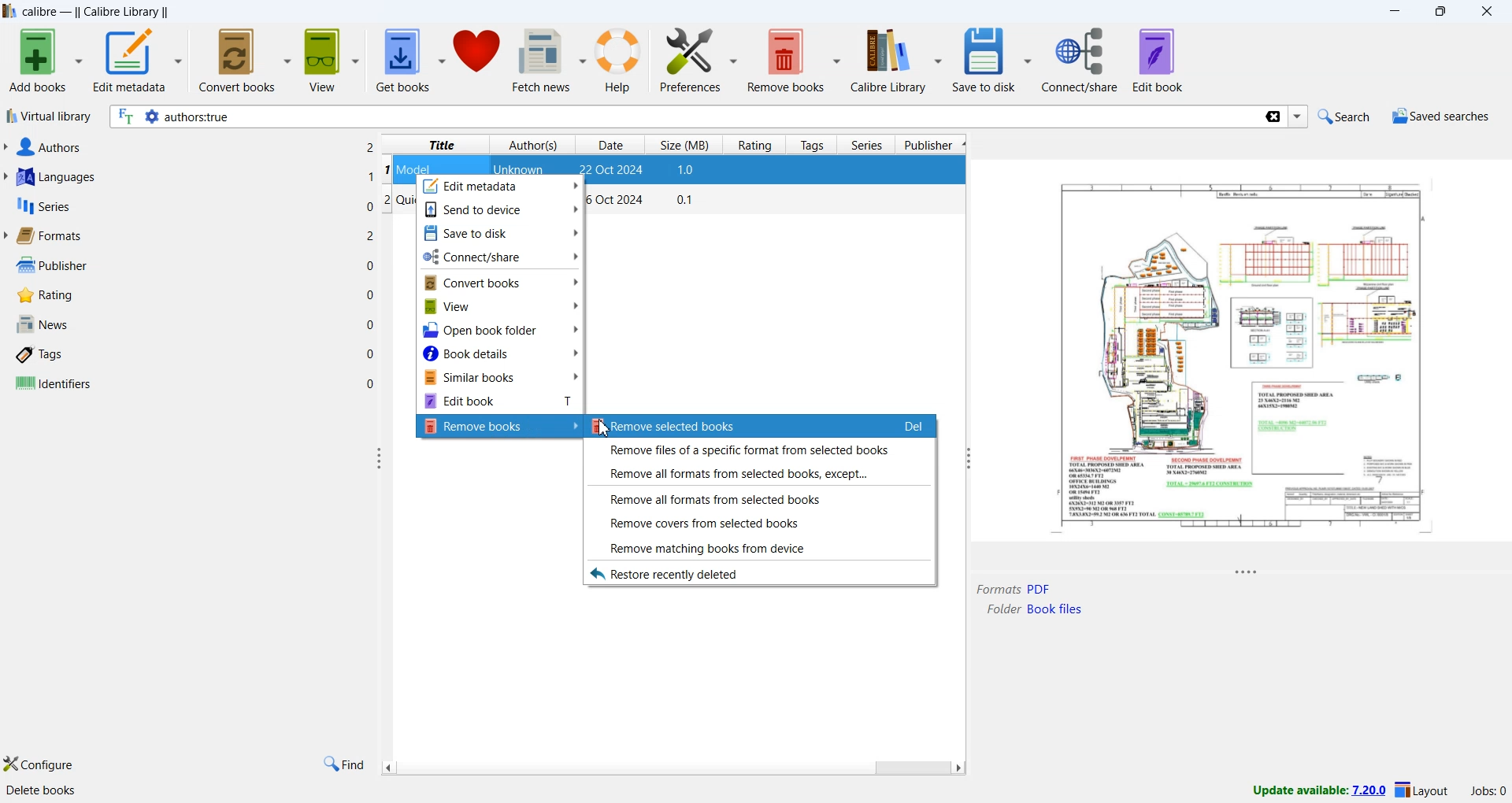  I want to click on series, so click(42, 209).